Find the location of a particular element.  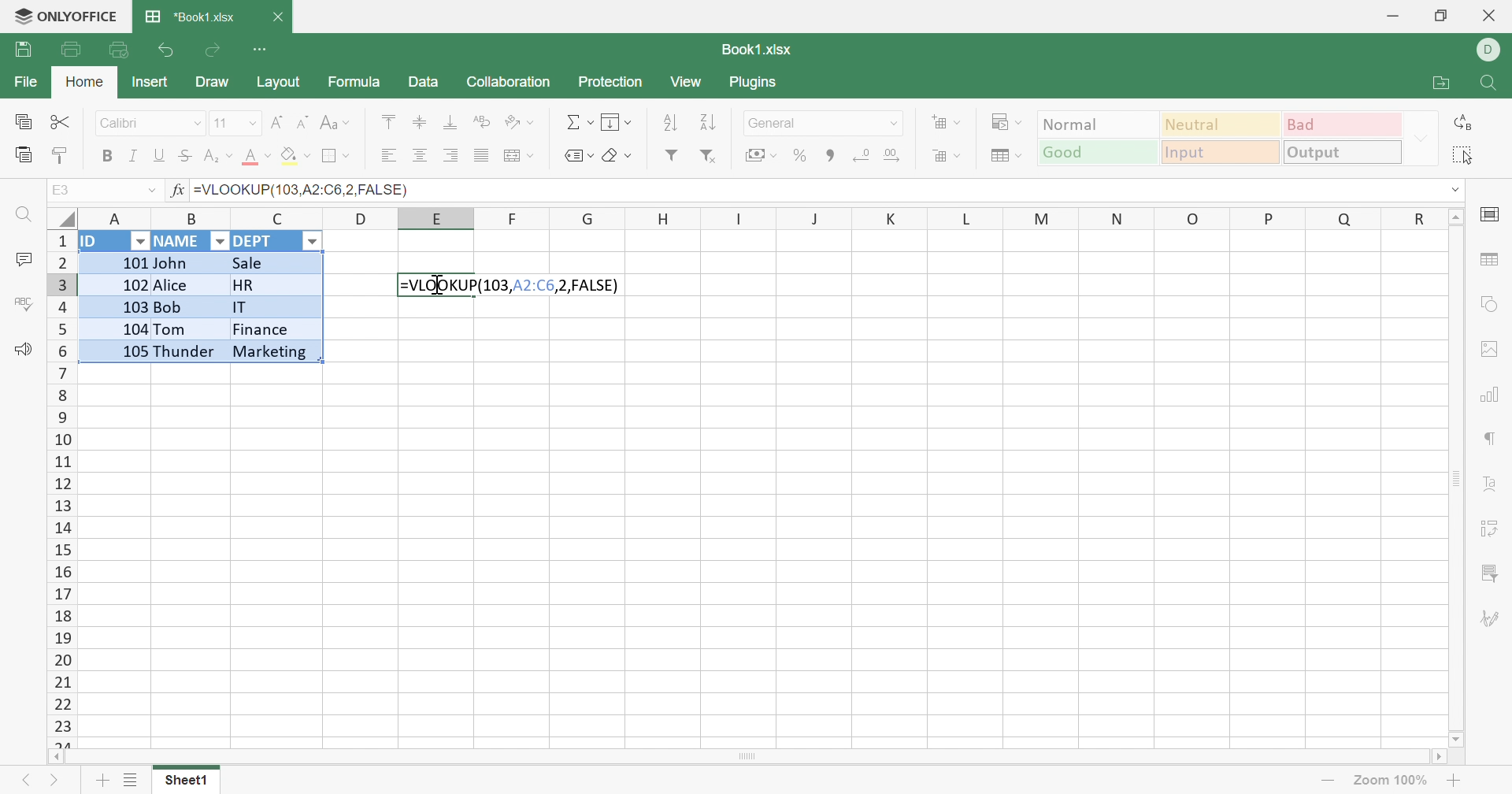

Print is located at coordinates (72, 47).